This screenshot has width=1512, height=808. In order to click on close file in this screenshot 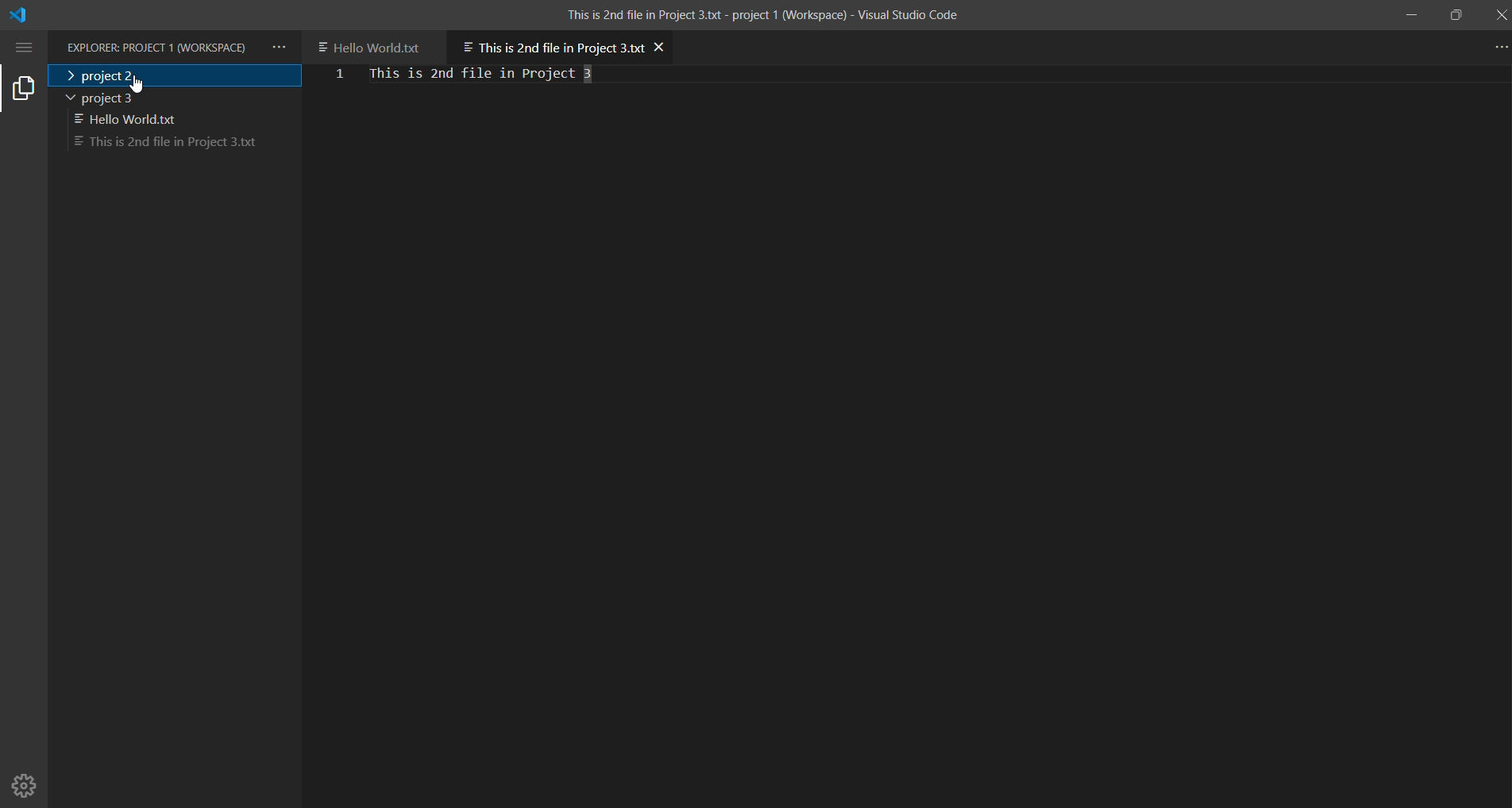, I will do `click(661, 46)`.